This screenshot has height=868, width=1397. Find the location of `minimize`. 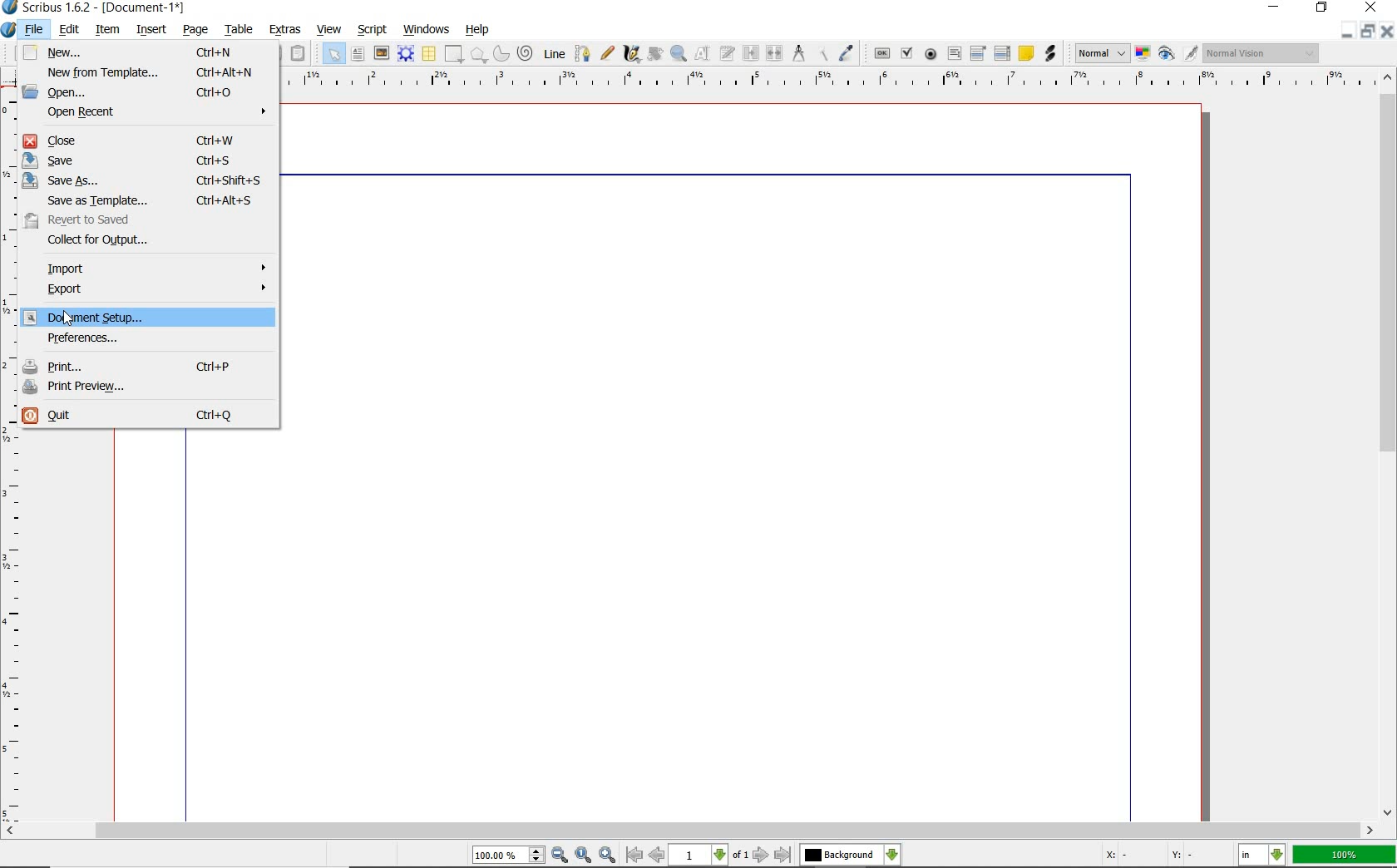

minimize is located at coordinates (1389, 32).